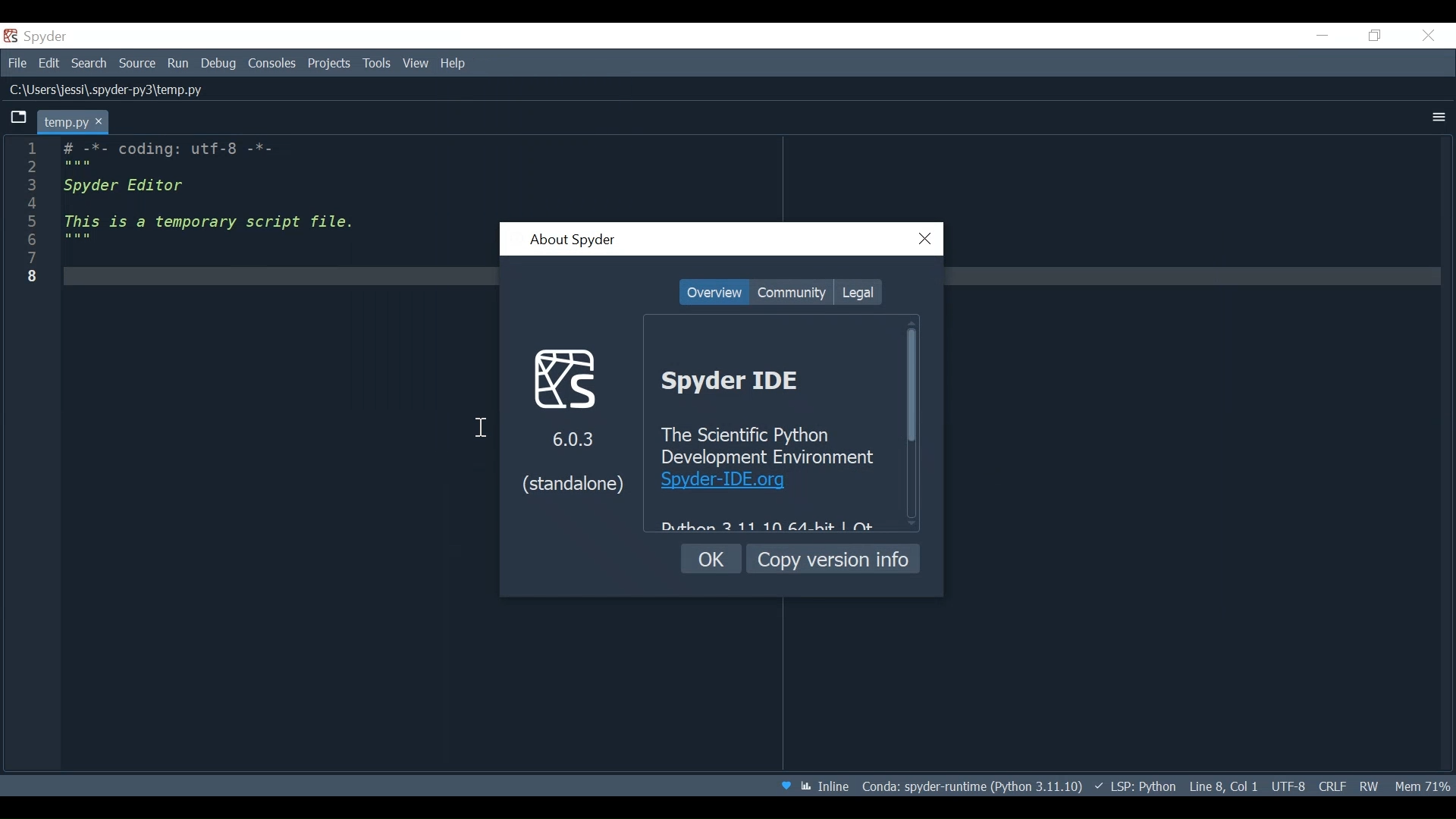 The image size is (1456, 819). I want to click on Source, so click(137, 64).